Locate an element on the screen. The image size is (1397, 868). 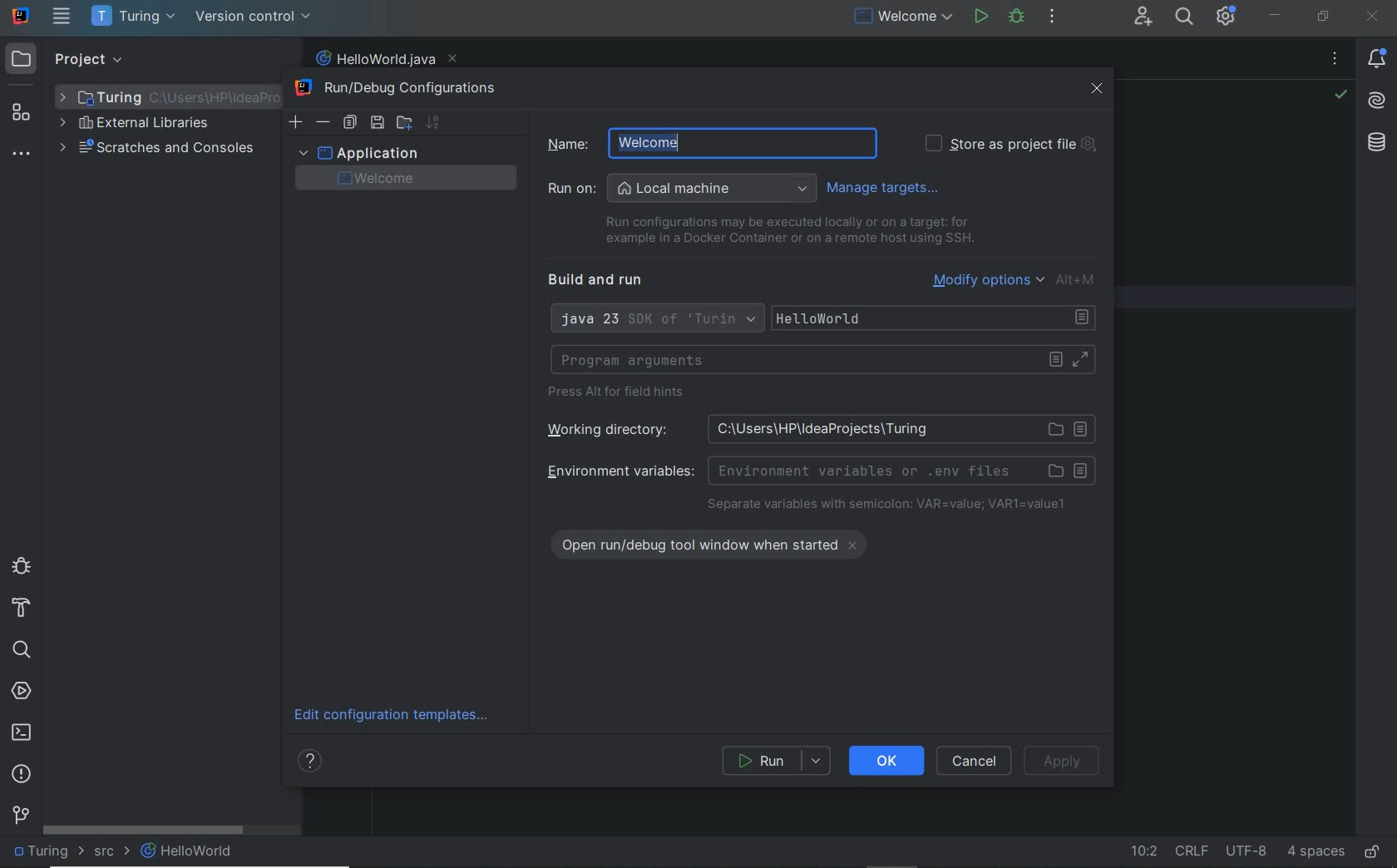
search everywhere is located at coordinates (1185, 18).